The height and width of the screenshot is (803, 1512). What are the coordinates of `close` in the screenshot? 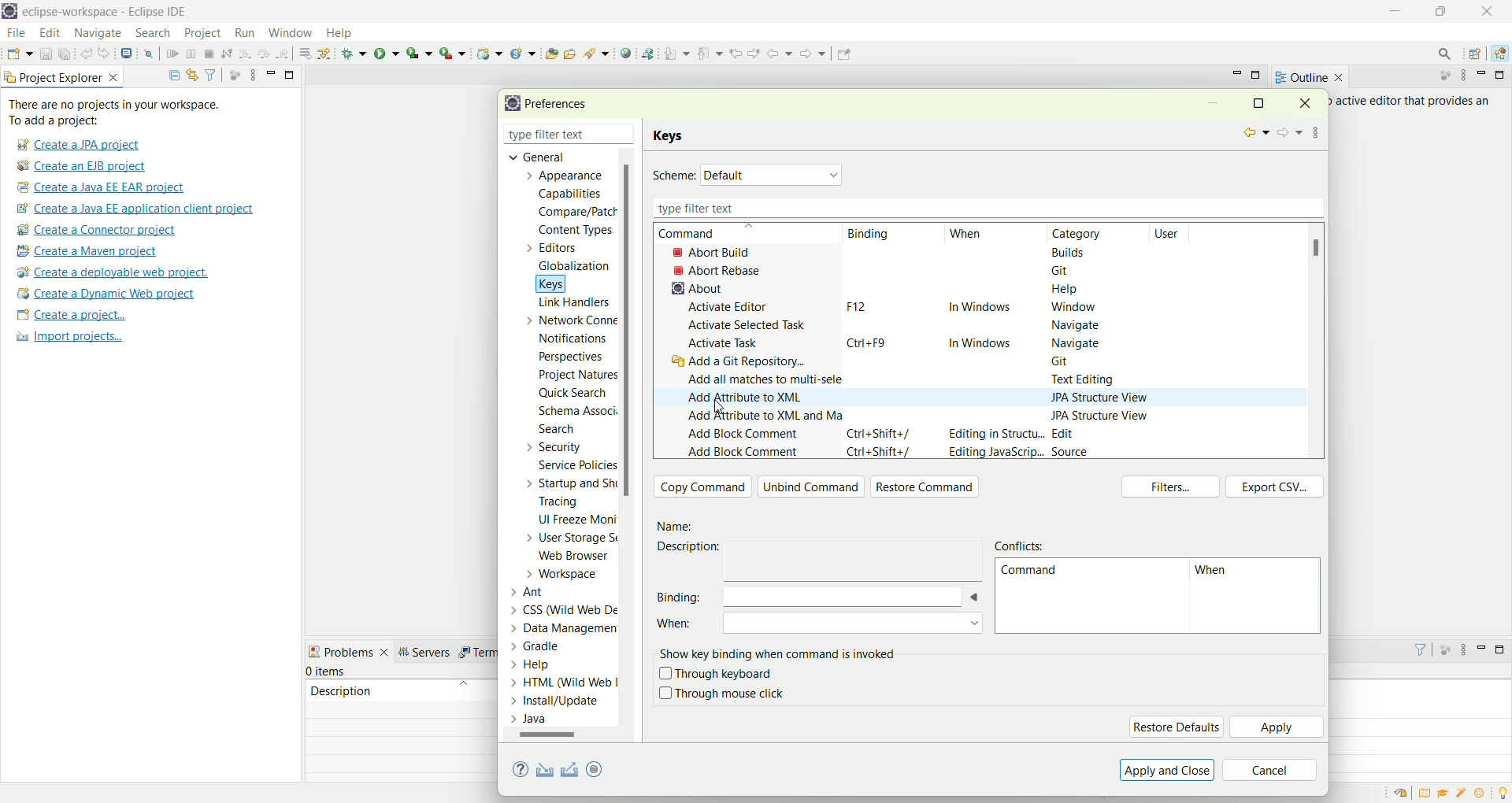 It's located at (629, 135).